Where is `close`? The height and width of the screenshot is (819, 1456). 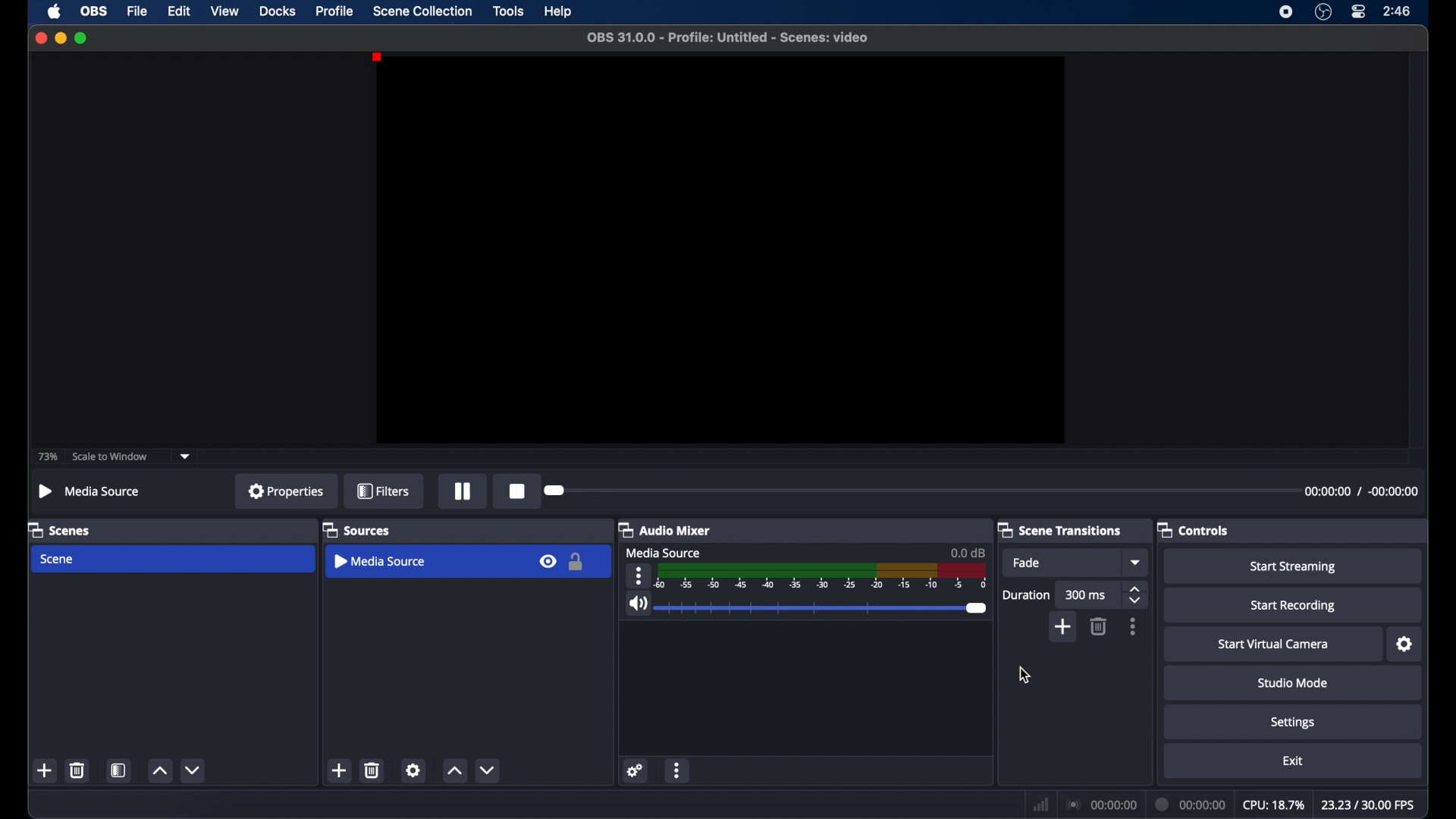
close is located at coordinates (38, 37).